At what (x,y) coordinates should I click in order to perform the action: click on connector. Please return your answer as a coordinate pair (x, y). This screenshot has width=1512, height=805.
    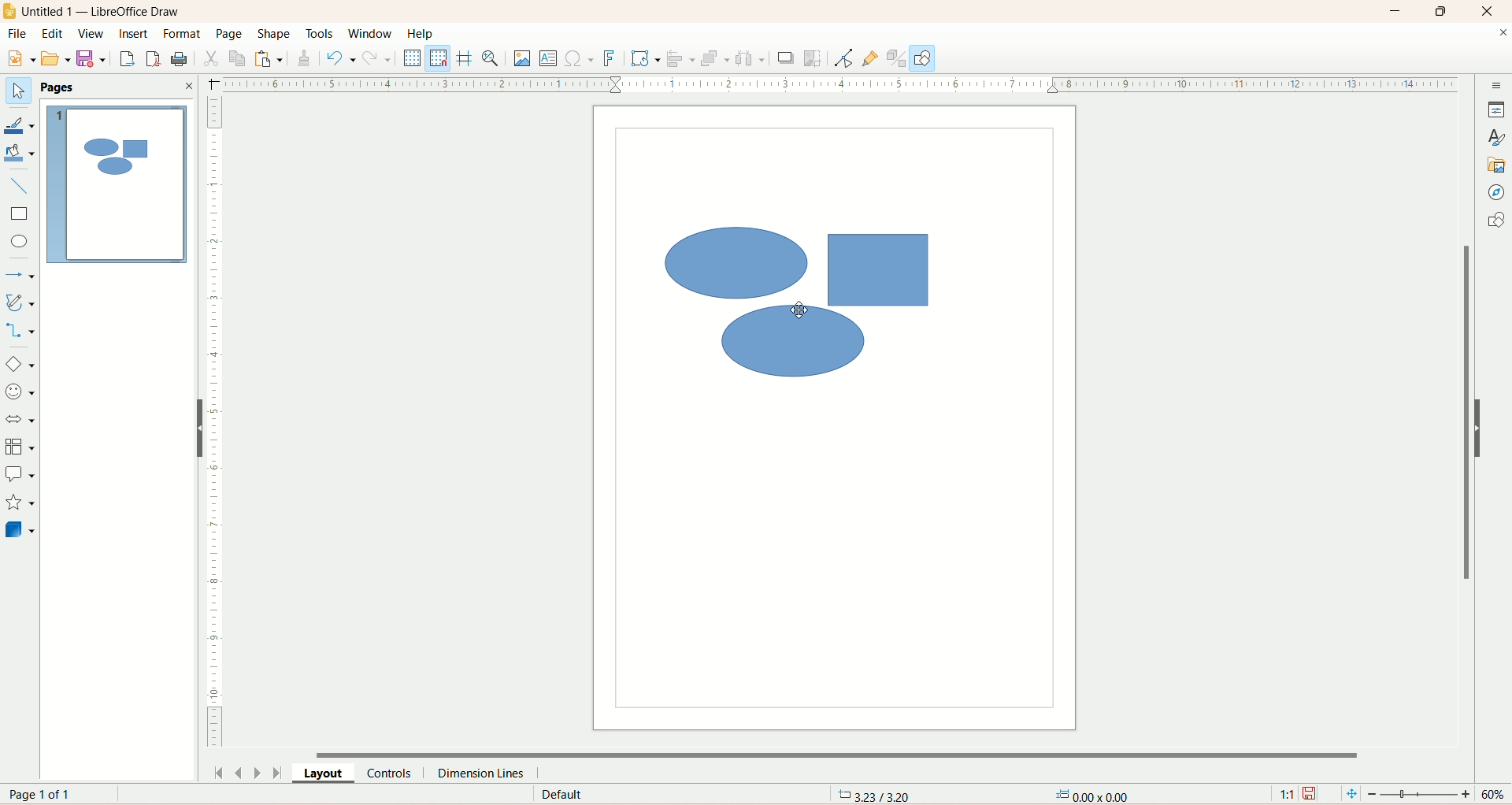
    Looking at the image, I should click on (19, 331).